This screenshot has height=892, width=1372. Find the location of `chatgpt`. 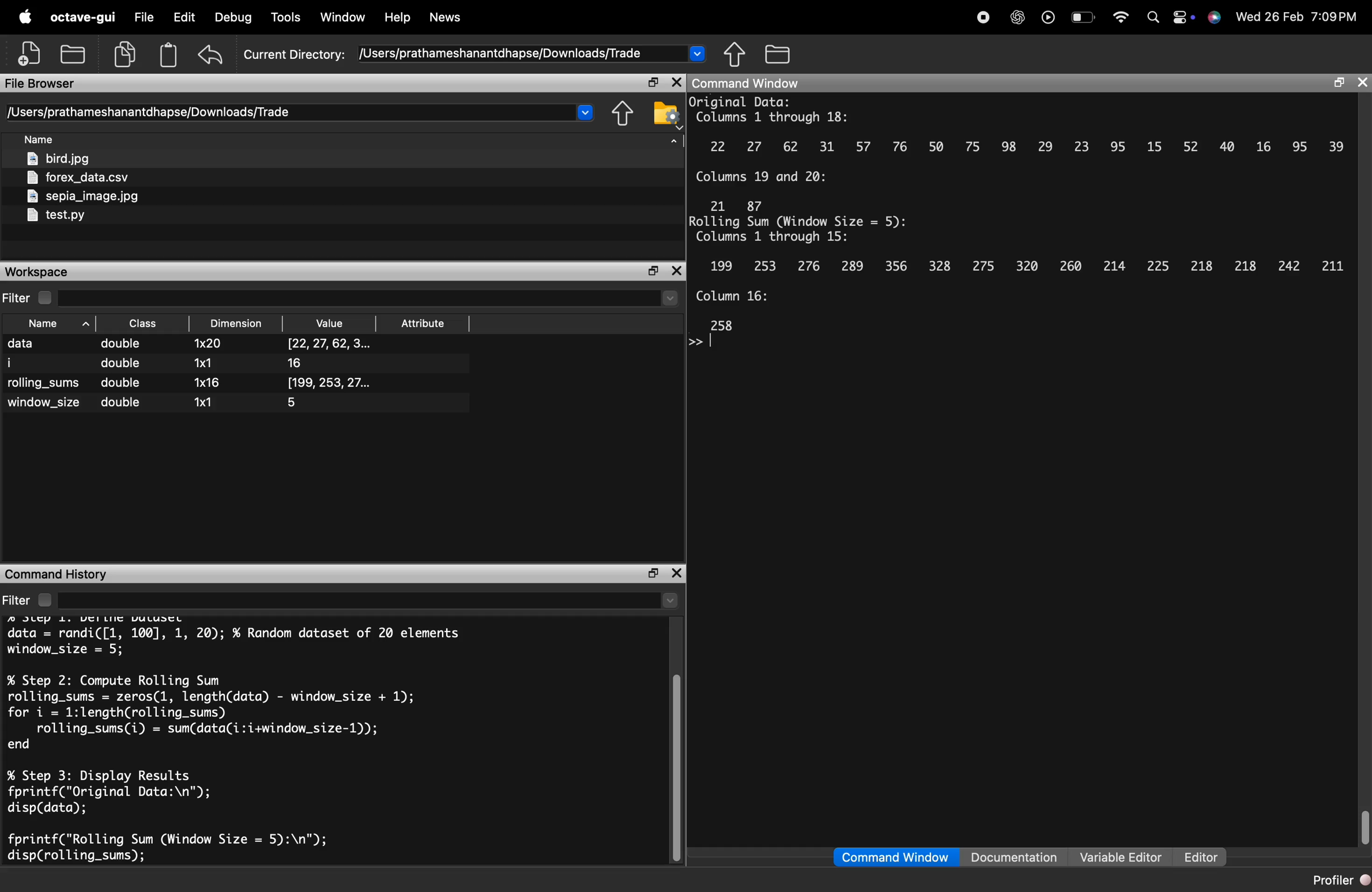

chatgpt is located at coordinates (1017, 18).